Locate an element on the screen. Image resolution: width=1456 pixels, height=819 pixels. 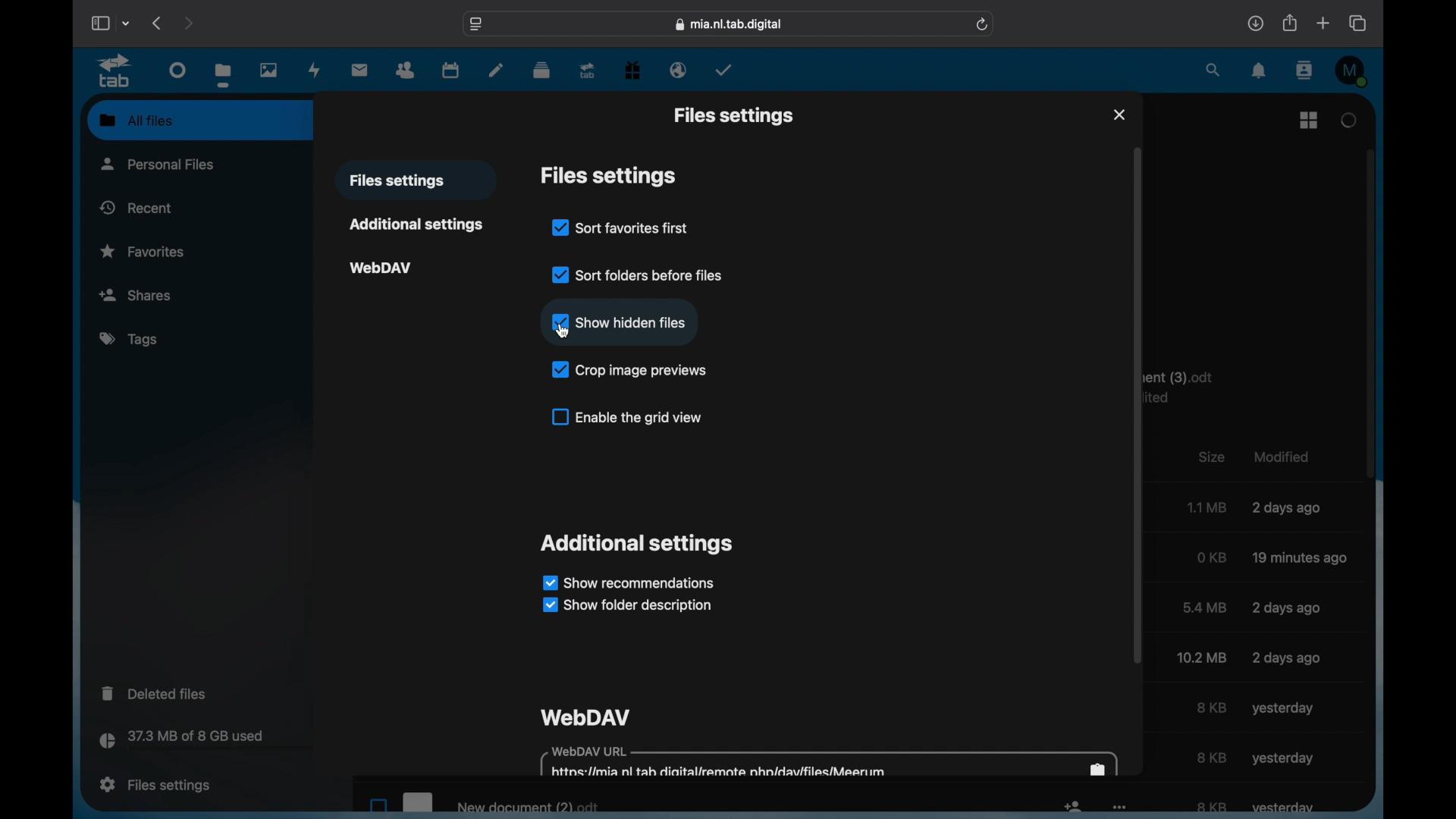
new document is located at coordinates (482, 804).